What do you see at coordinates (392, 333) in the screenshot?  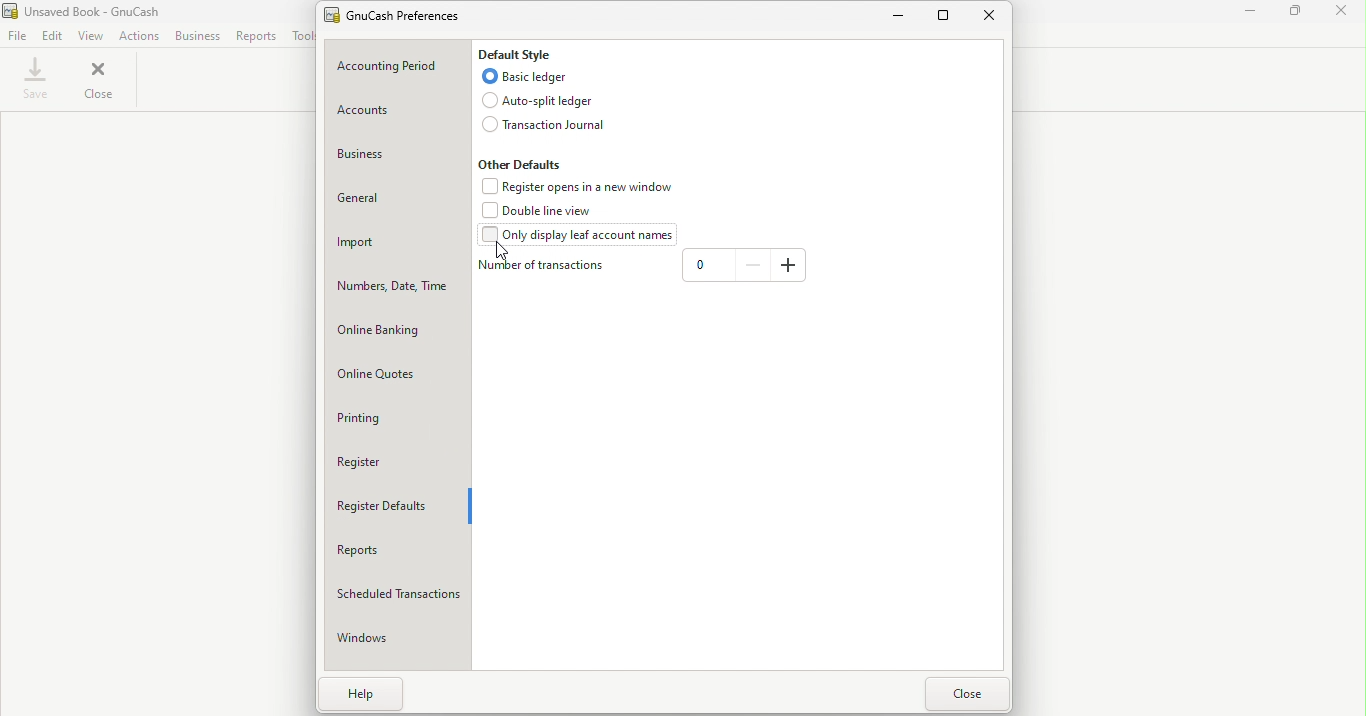 I see `Online banking` at bounding box center [392, 333].